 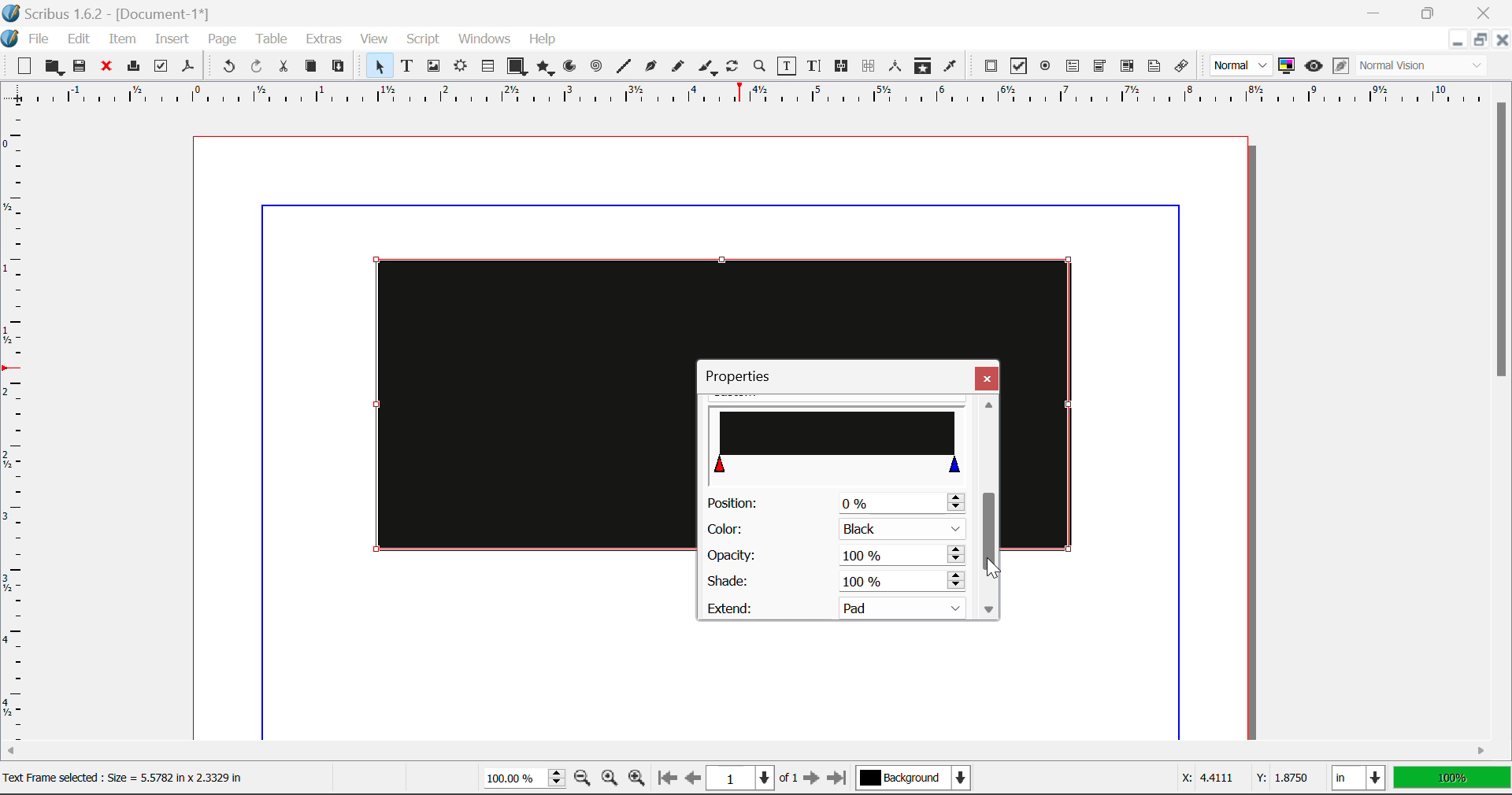 What do you see at coordinates (1045, 68) in the screenshot?
I see `PDF Radio Button` at bounding box center [1045, 68].